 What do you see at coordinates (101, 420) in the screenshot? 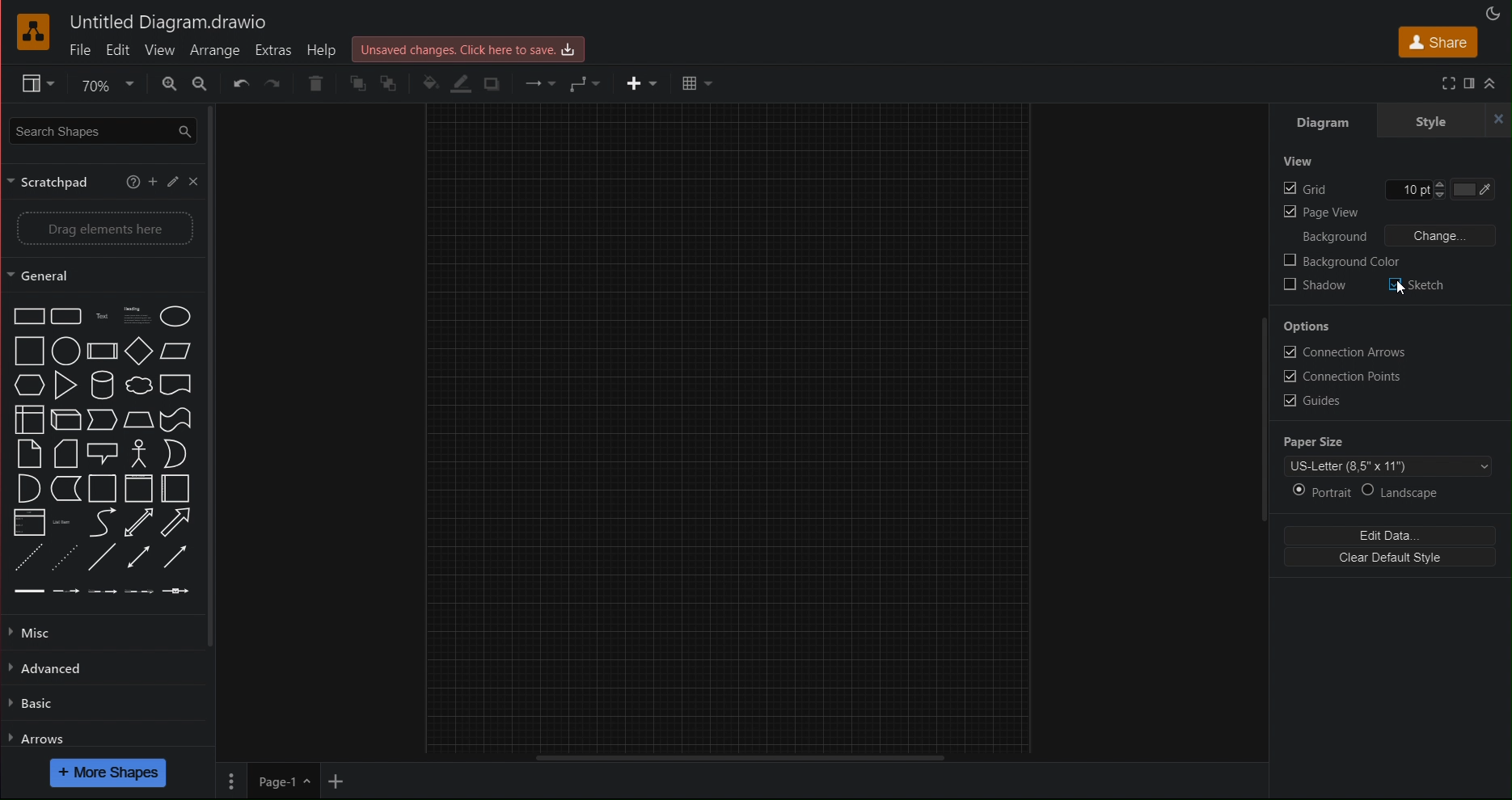
I see `step` at bounding box center [101, 420].